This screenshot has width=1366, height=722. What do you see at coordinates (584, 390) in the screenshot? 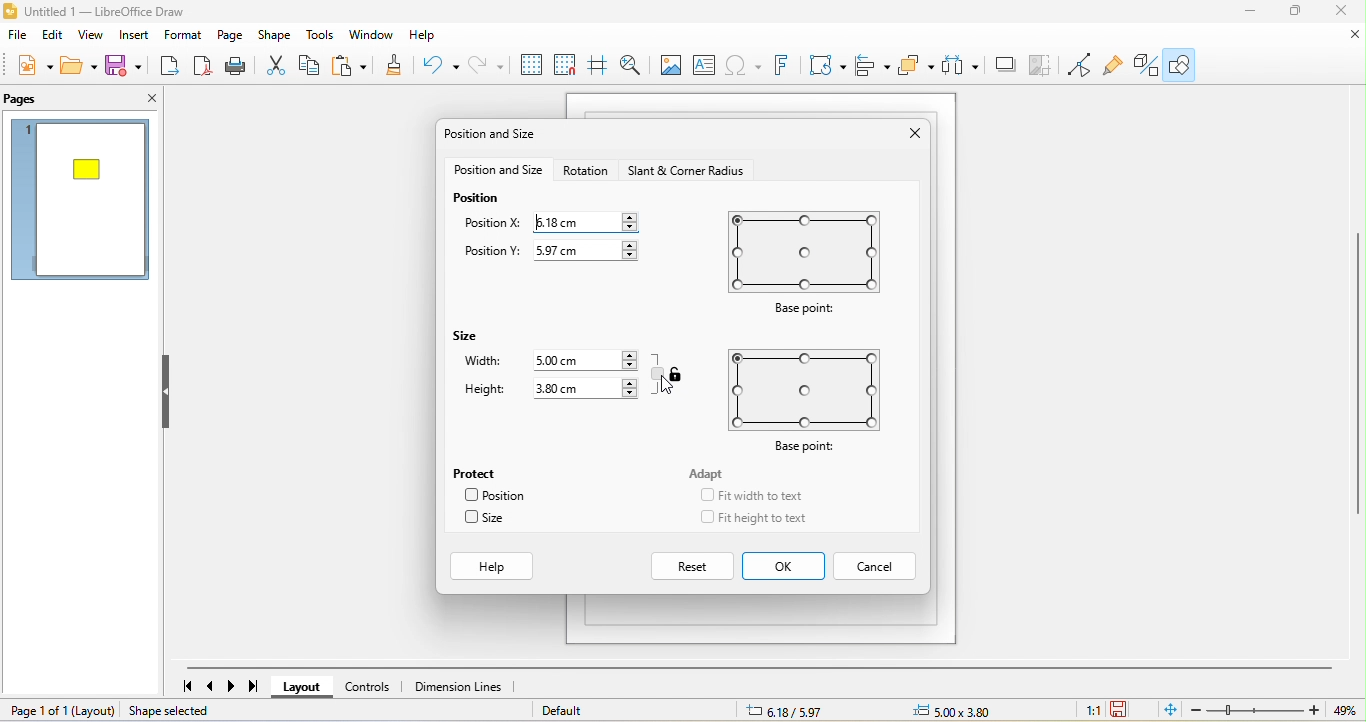
I see `3.80 cm` at bounding box center [584, 390].